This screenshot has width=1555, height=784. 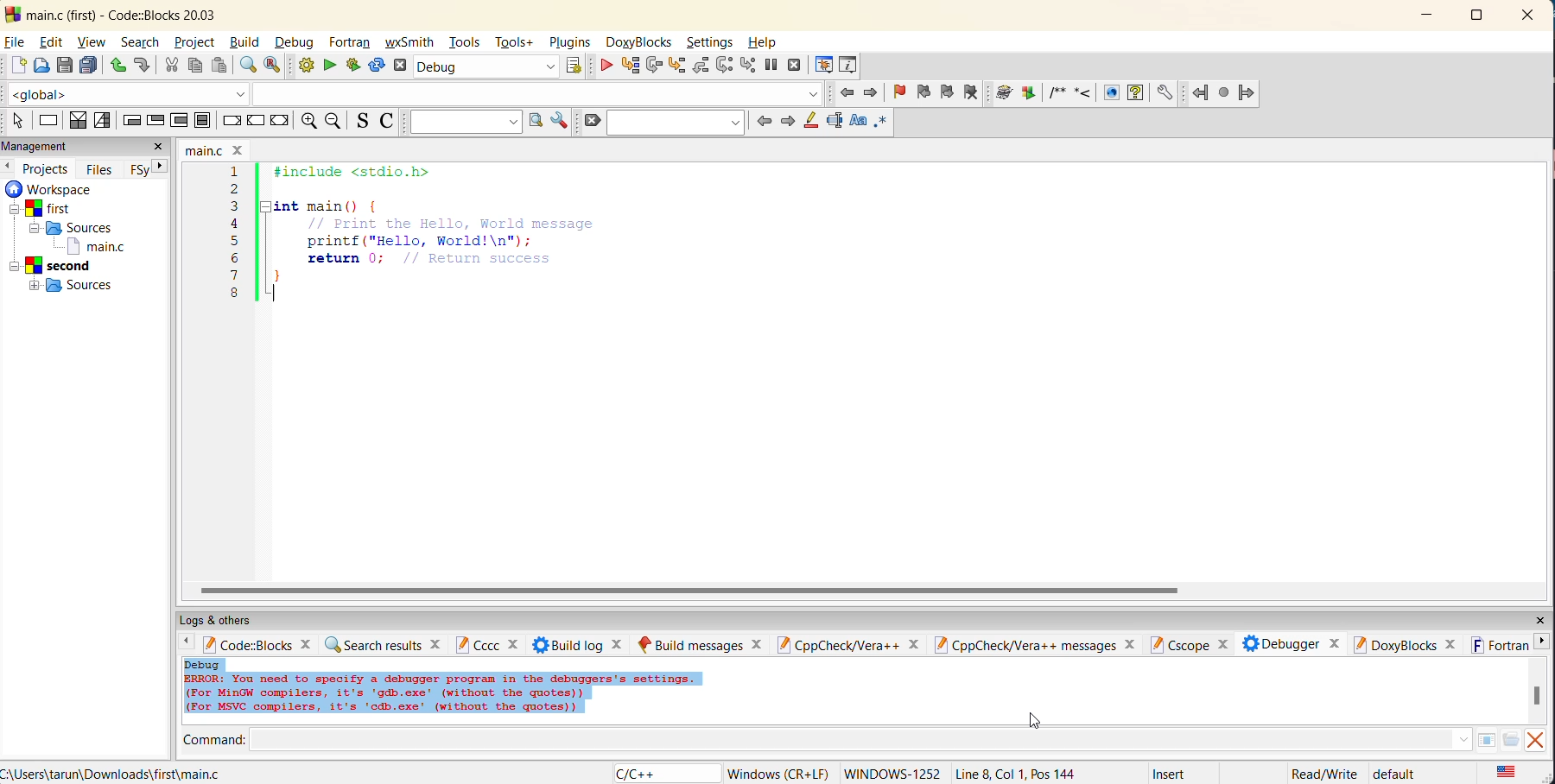 I want to click on Windows (CR+LF), so click(x=777, y=773).